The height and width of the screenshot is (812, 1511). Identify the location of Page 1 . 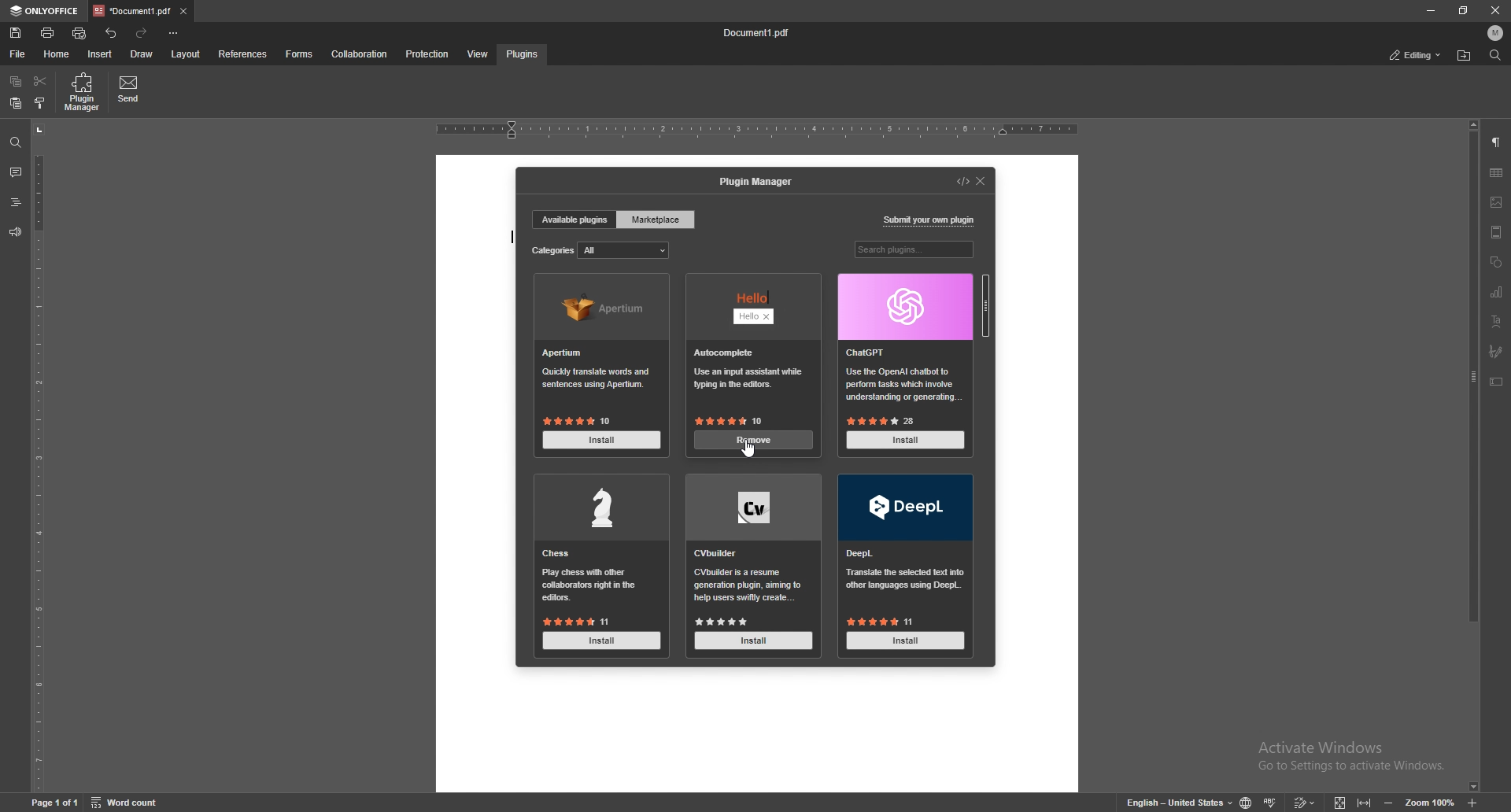
(46, 802).